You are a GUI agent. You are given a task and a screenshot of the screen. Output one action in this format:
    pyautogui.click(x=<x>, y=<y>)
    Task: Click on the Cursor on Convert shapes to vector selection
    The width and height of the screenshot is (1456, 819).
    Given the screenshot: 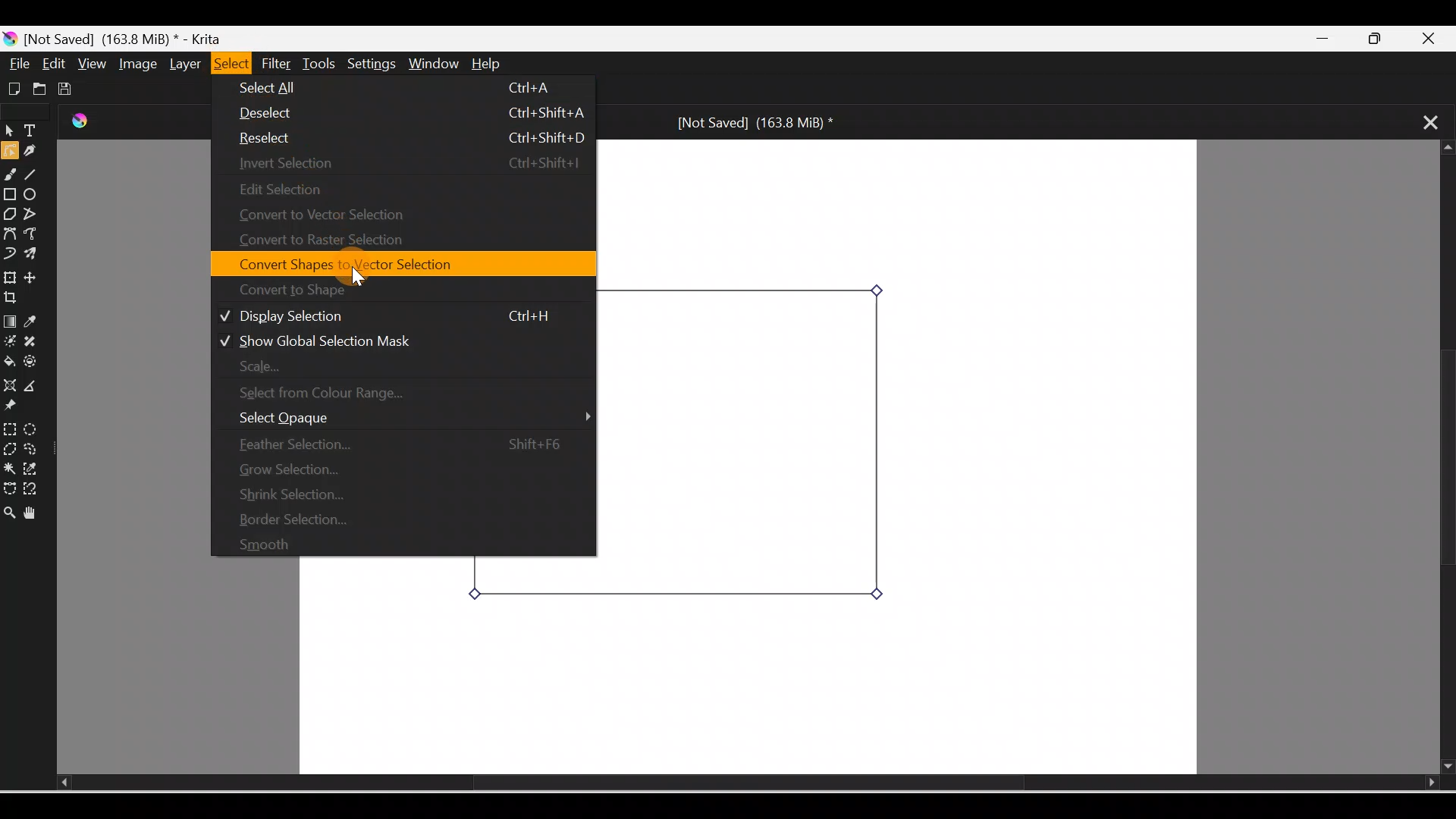 What is the action you would take?
    pyautogui.click(x=372, y=261)
    